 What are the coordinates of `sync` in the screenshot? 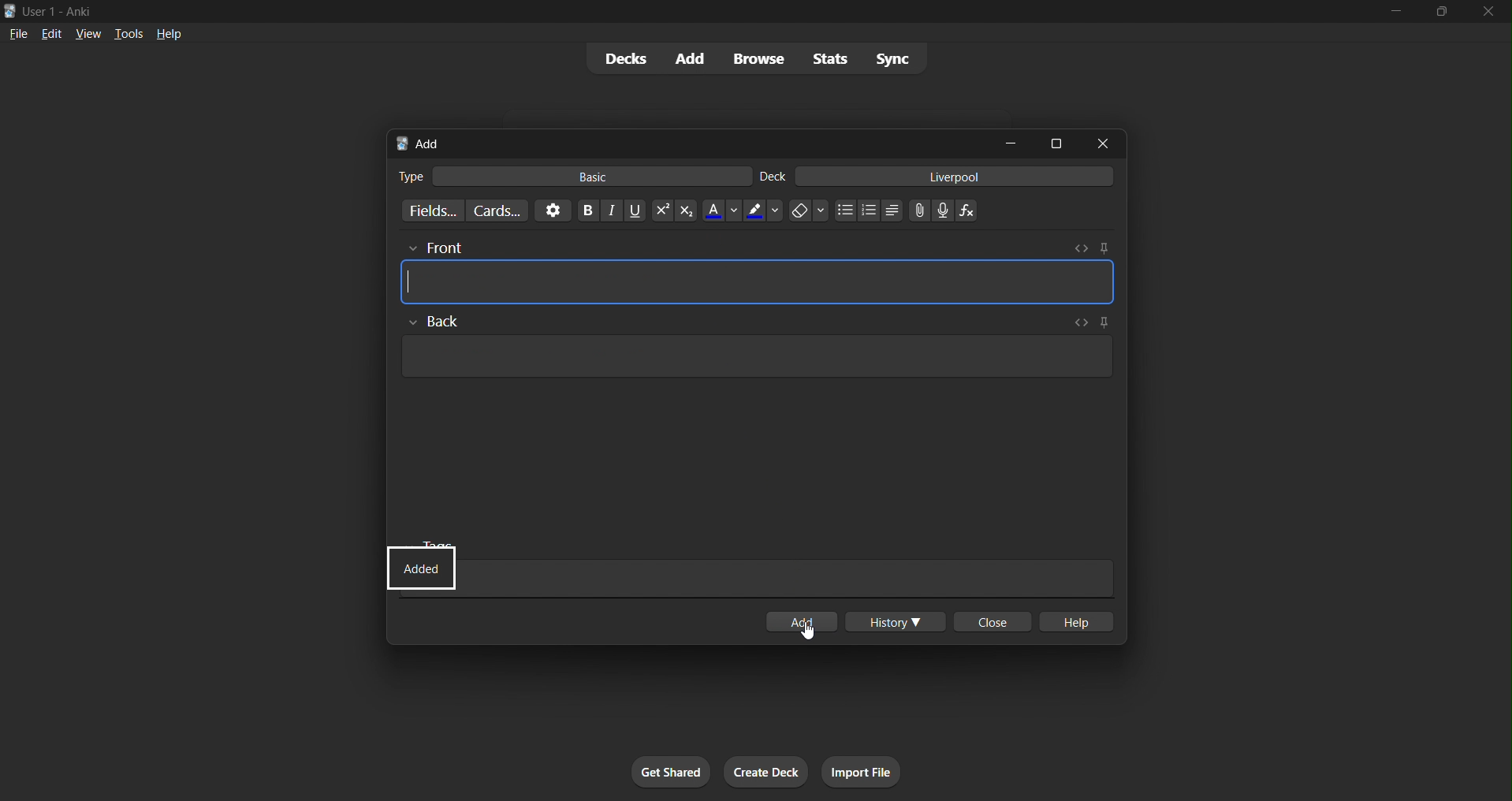 It's located at (888, 59).